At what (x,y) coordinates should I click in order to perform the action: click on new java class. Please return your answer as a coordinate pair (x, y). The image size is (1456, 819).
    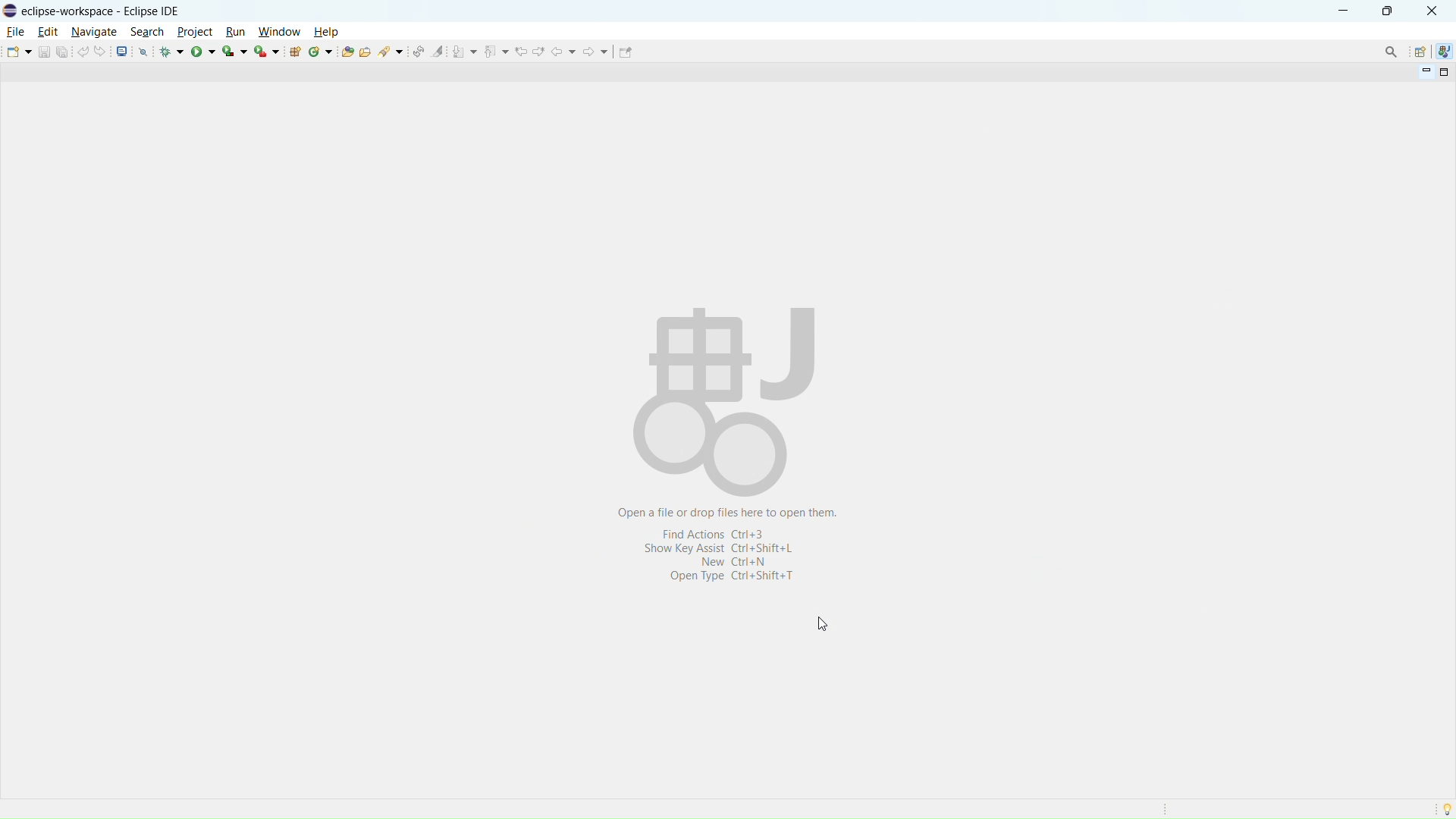
    Looking at the image, I should click on (321, 52).